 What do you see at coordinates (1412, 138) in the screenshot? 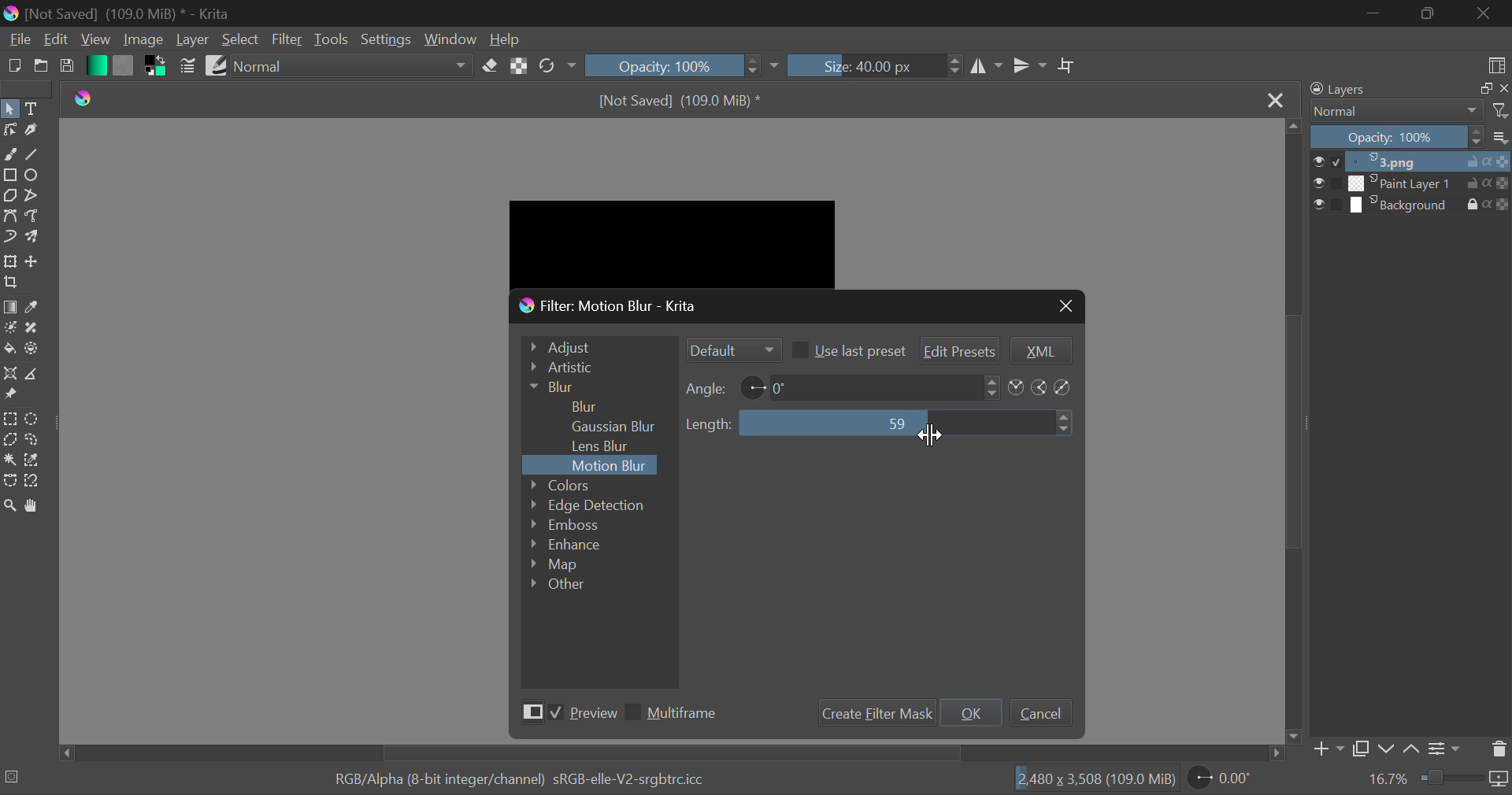
I see `Opacity 100%` at bounding box center [1412, 138].